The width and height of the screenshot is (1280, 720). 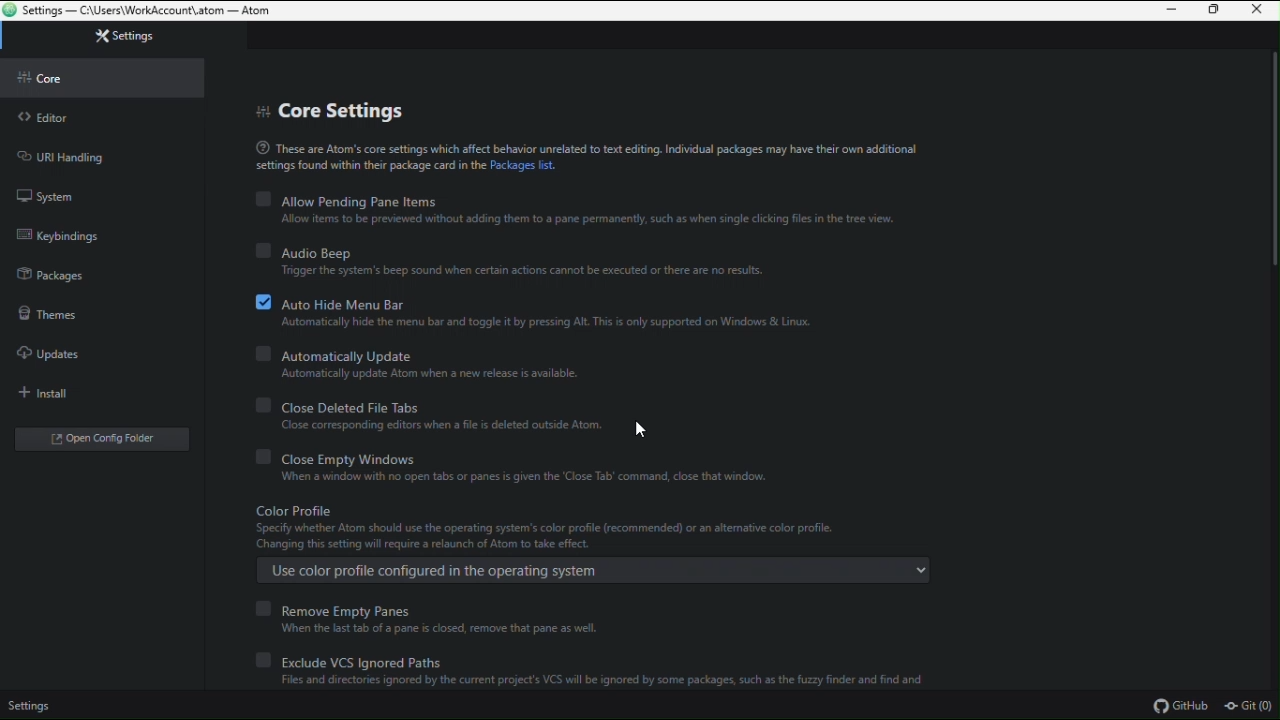 What do you see at coordinates (102, 271) in the screenshot?
I see `packages` at bounding box center [102, 271].